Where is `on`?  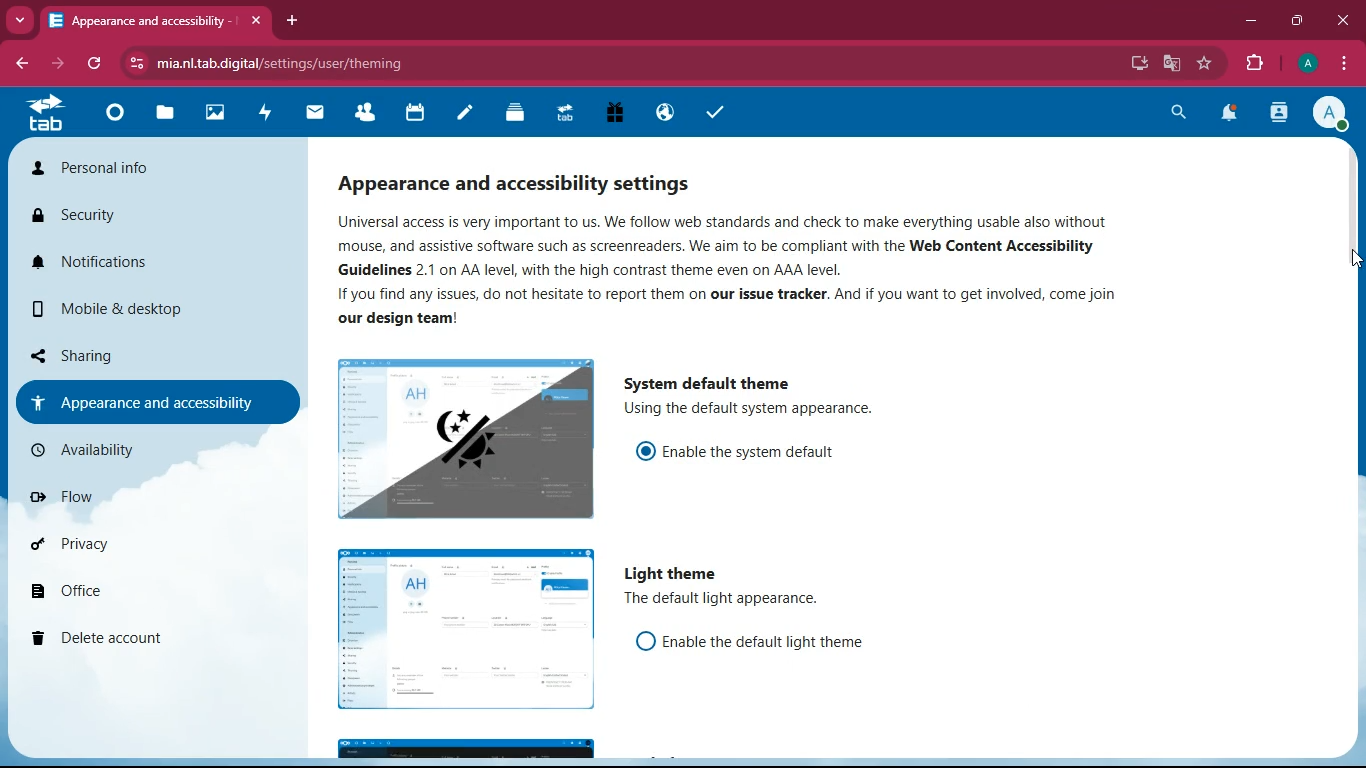 on is located at coordinates (641, 451).